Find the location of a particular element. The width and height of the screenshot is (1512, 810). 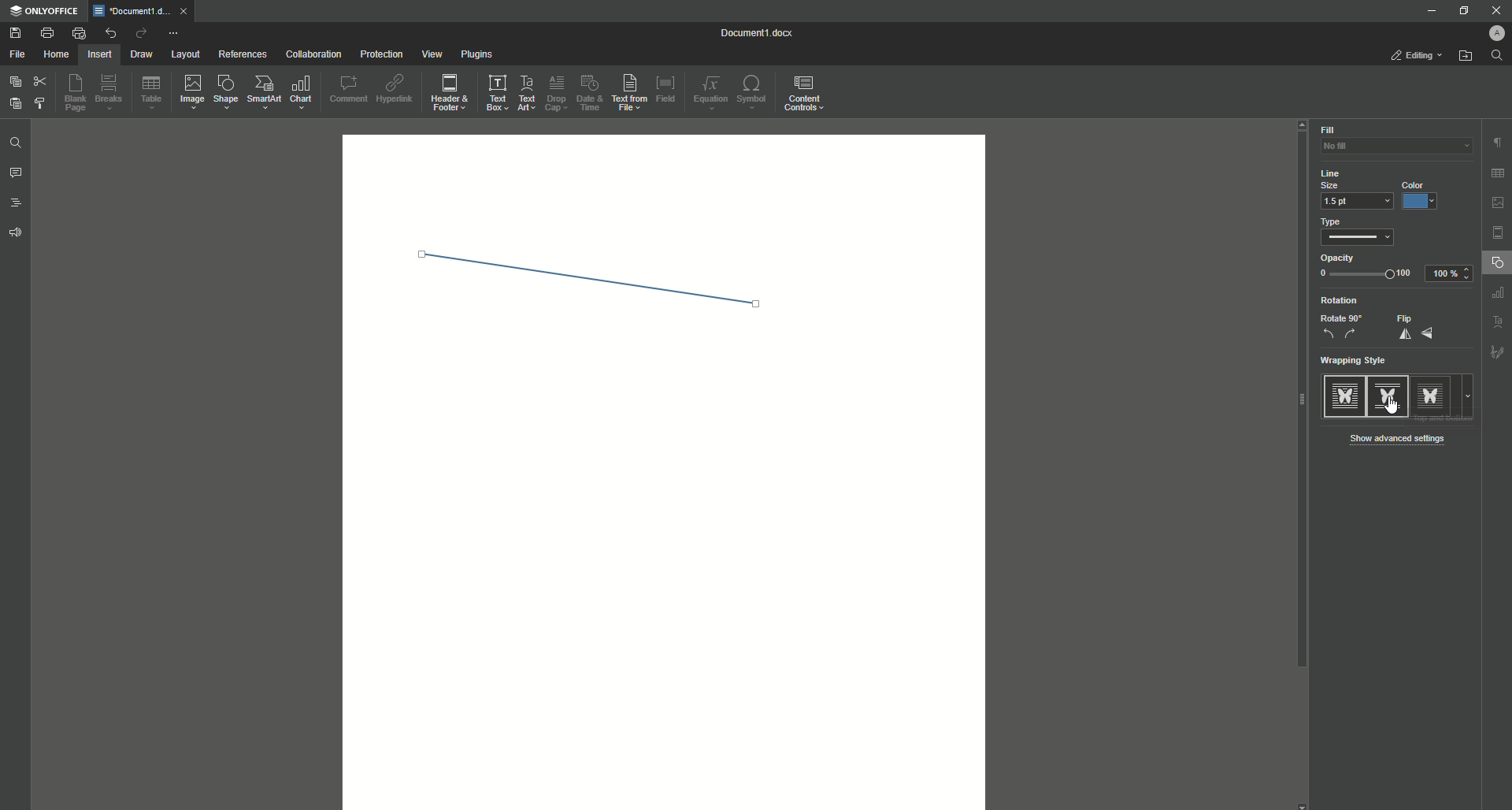

Undo is located at coordinates (109, 32).